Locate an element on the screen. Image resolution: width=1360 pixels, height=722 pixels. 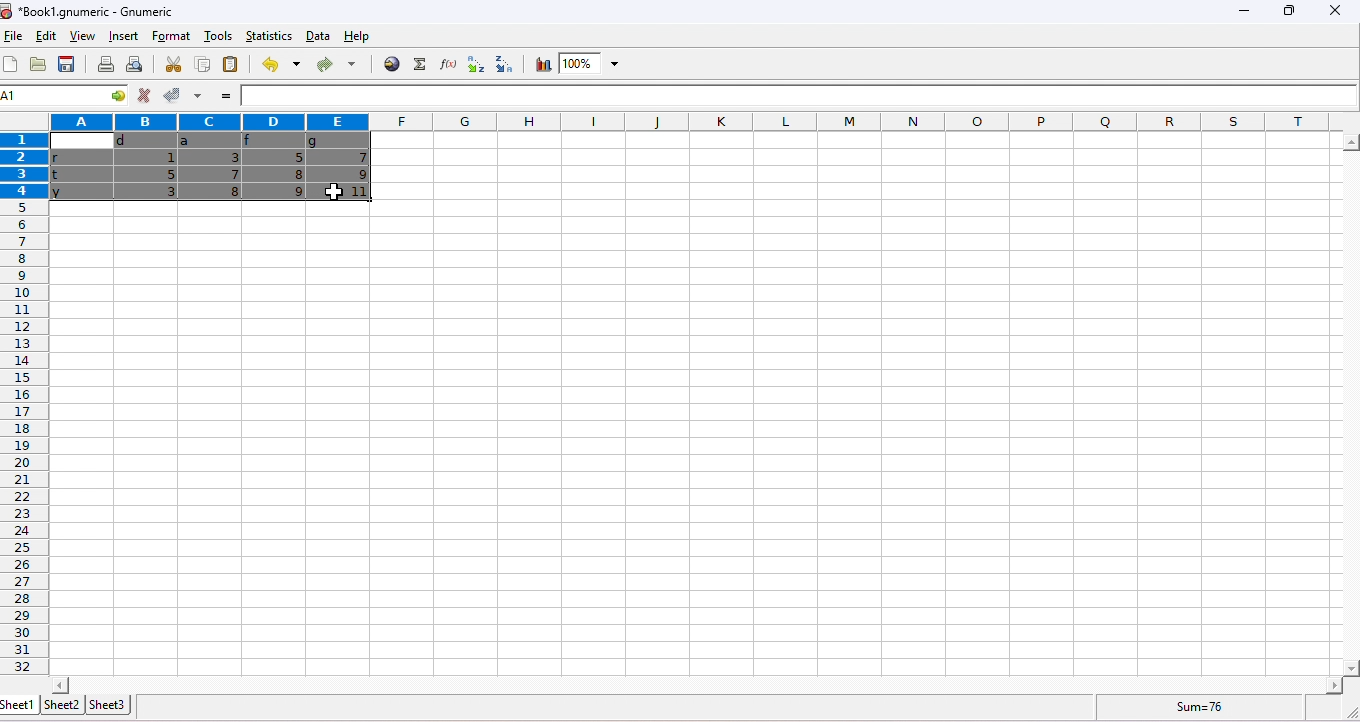
expand is located at coordinates (1345, 711).